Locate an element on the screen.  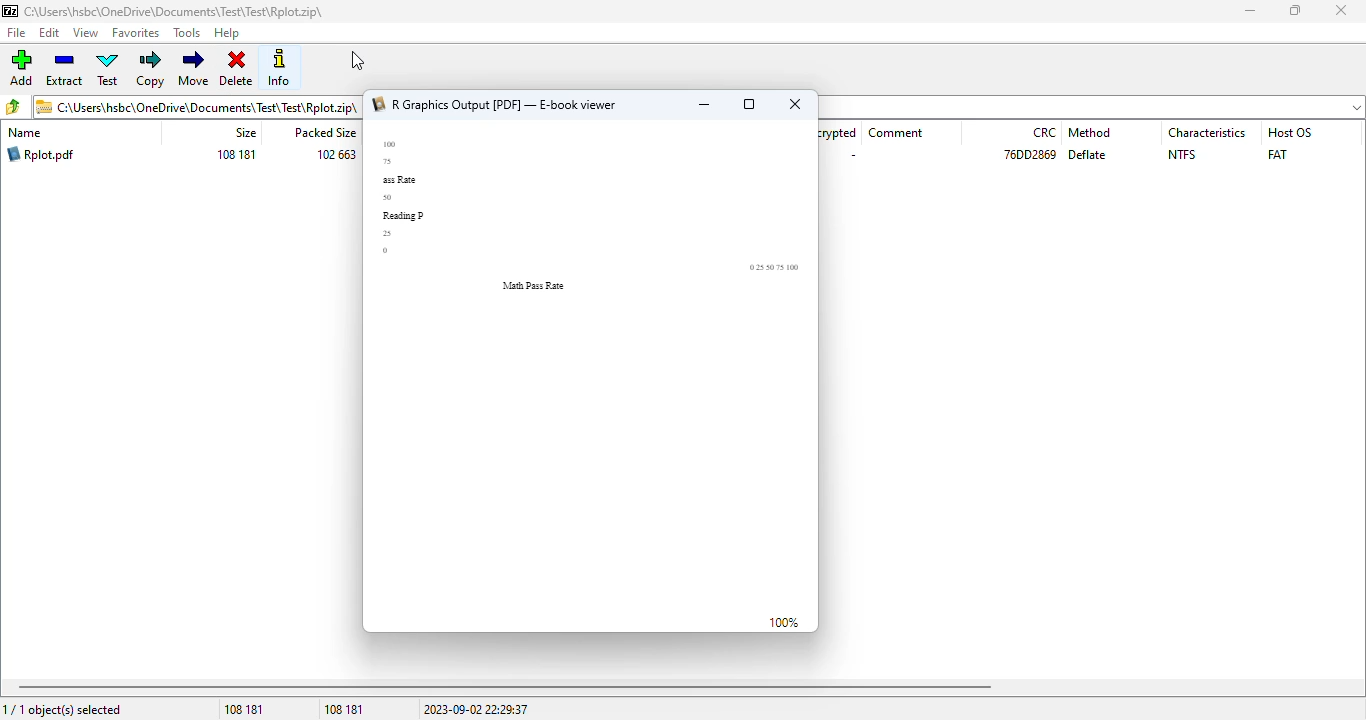
maximize is located at coordinates (749, 104).